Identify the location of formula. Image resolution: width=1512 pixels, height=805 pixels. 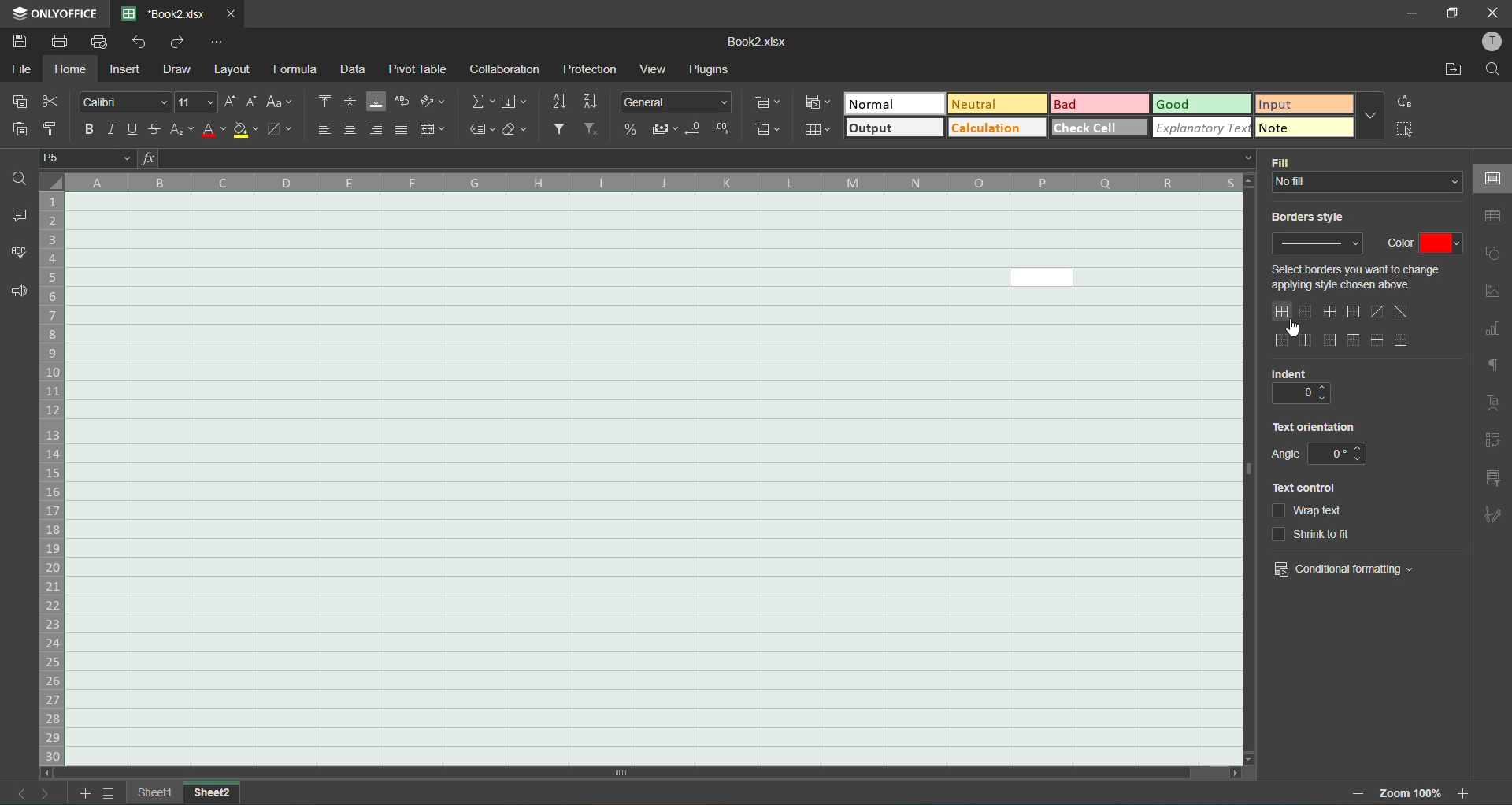
(298, 72).